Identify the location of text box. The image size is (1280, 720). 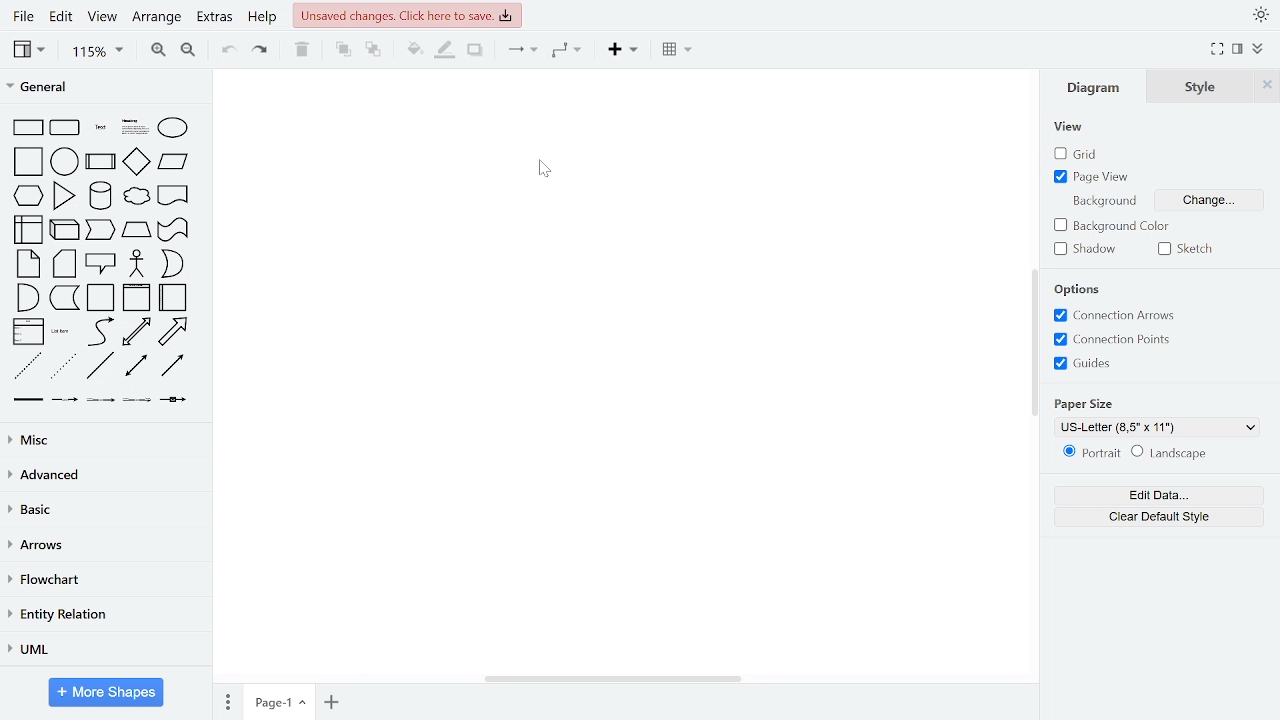
(136, 127).